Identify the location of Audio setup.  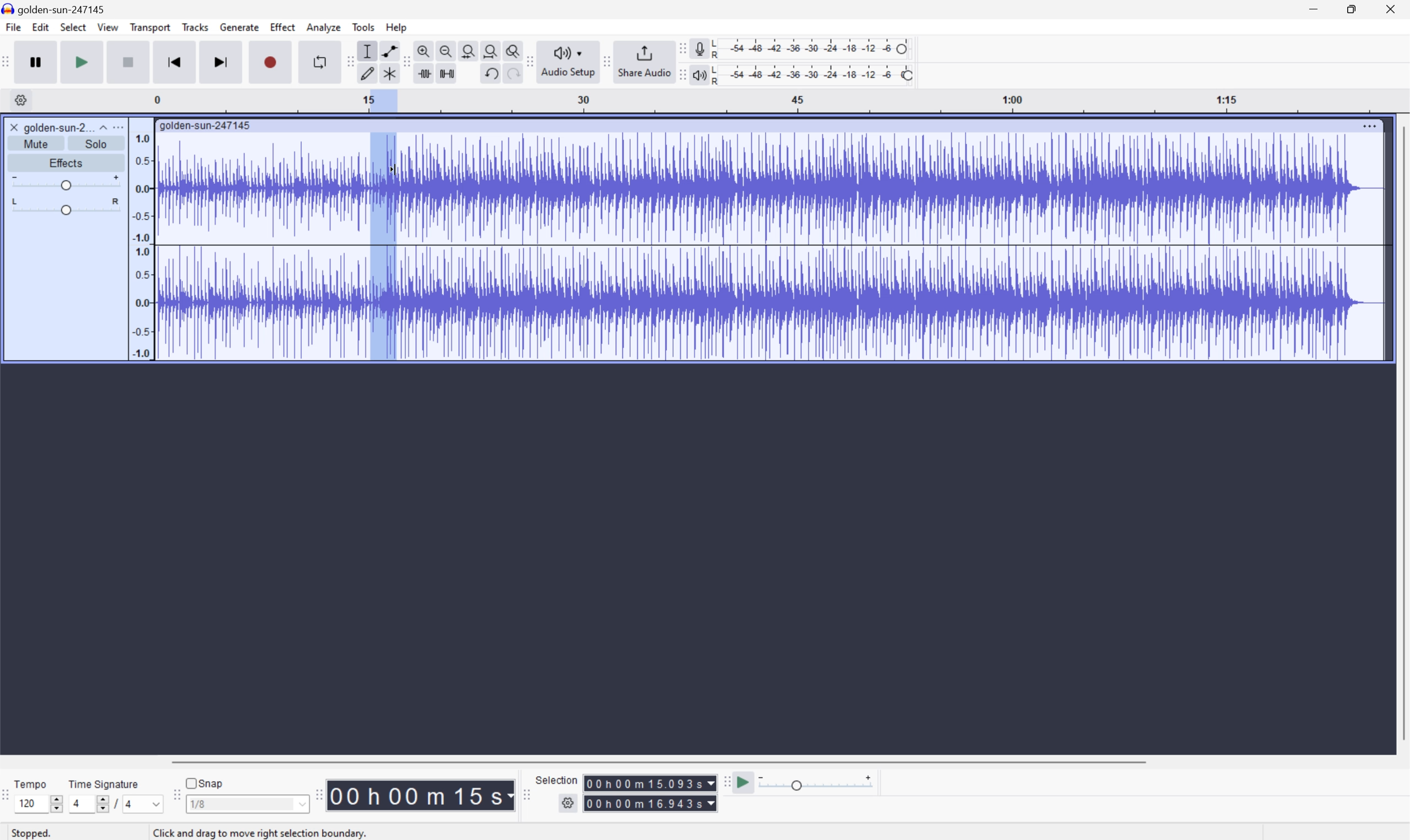
(570, 61).